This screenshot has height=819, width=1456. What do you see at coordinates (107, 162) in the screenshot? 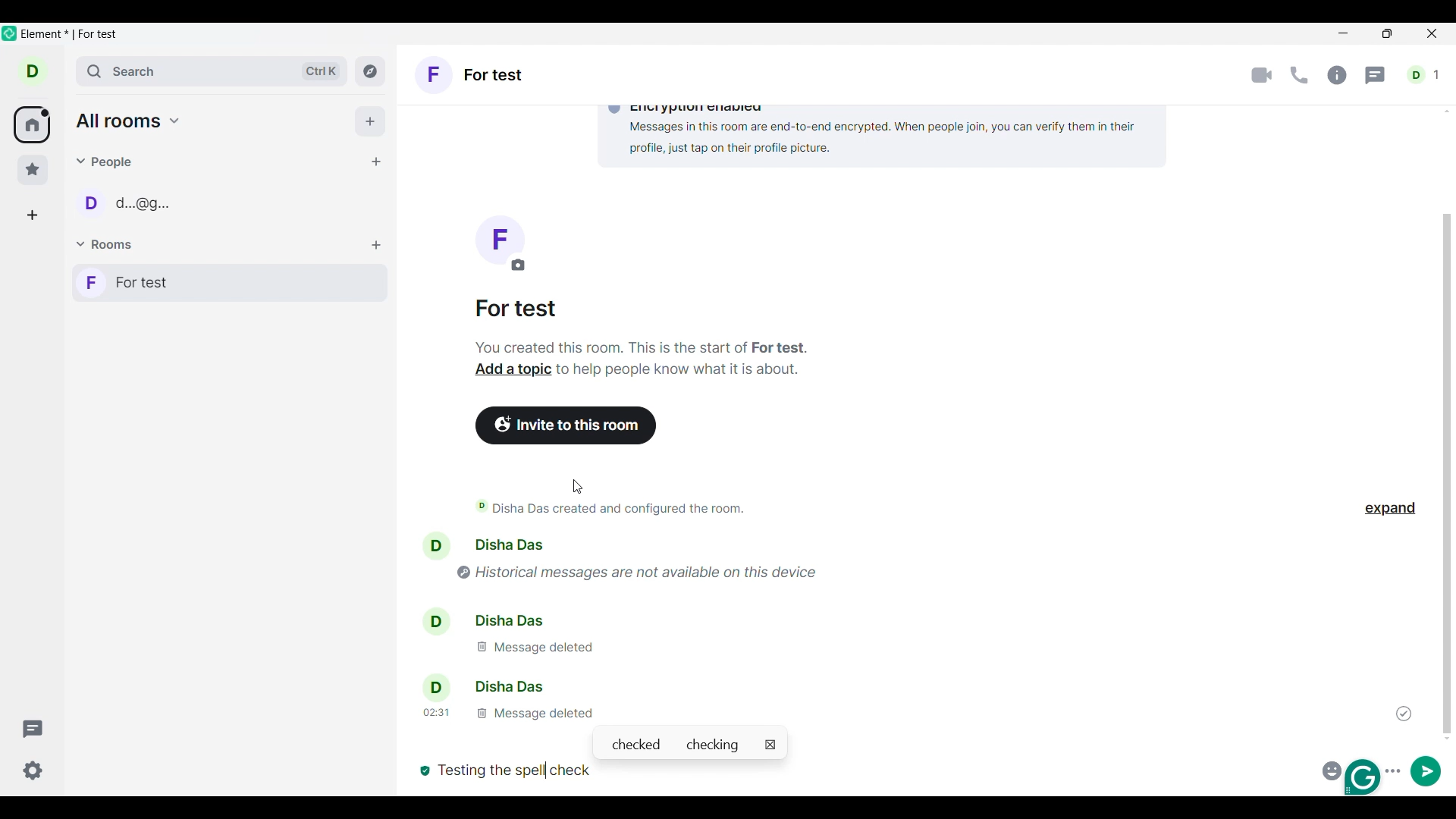
I see `People ` at bounding box center [107, 162].